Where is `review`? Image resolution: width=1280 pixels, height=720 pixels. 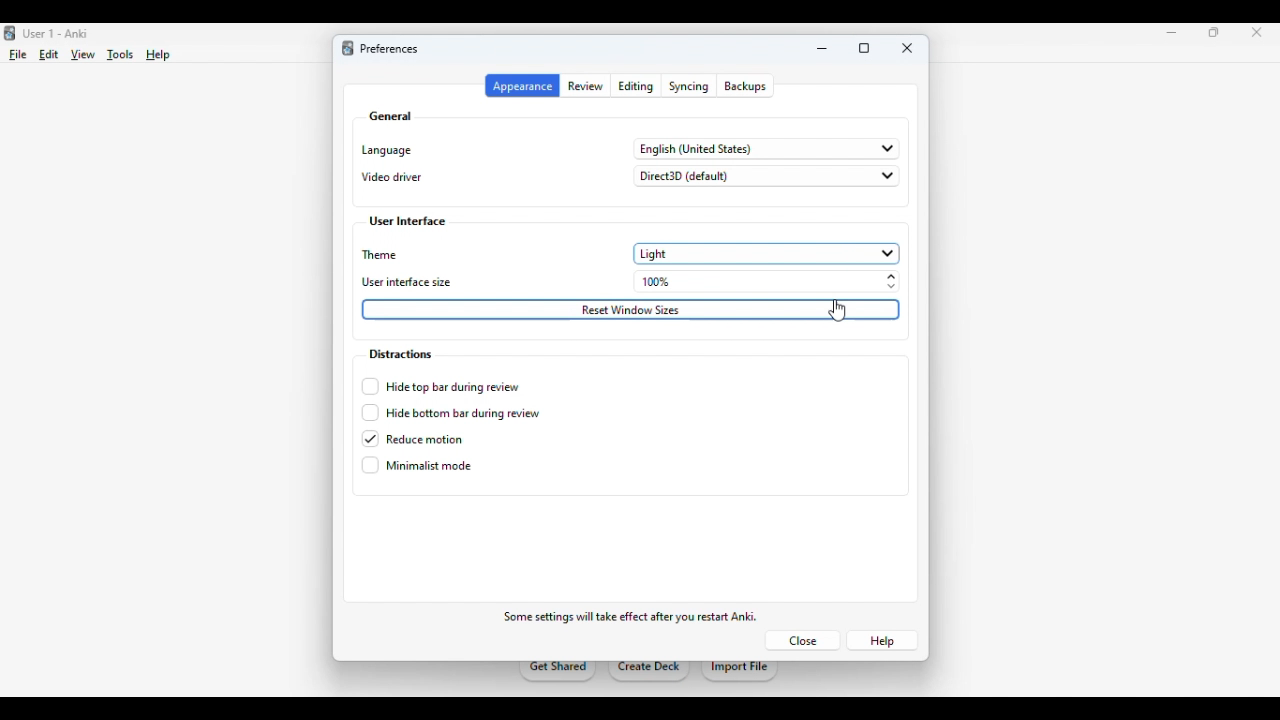
review is located at coordinates (586, 86).